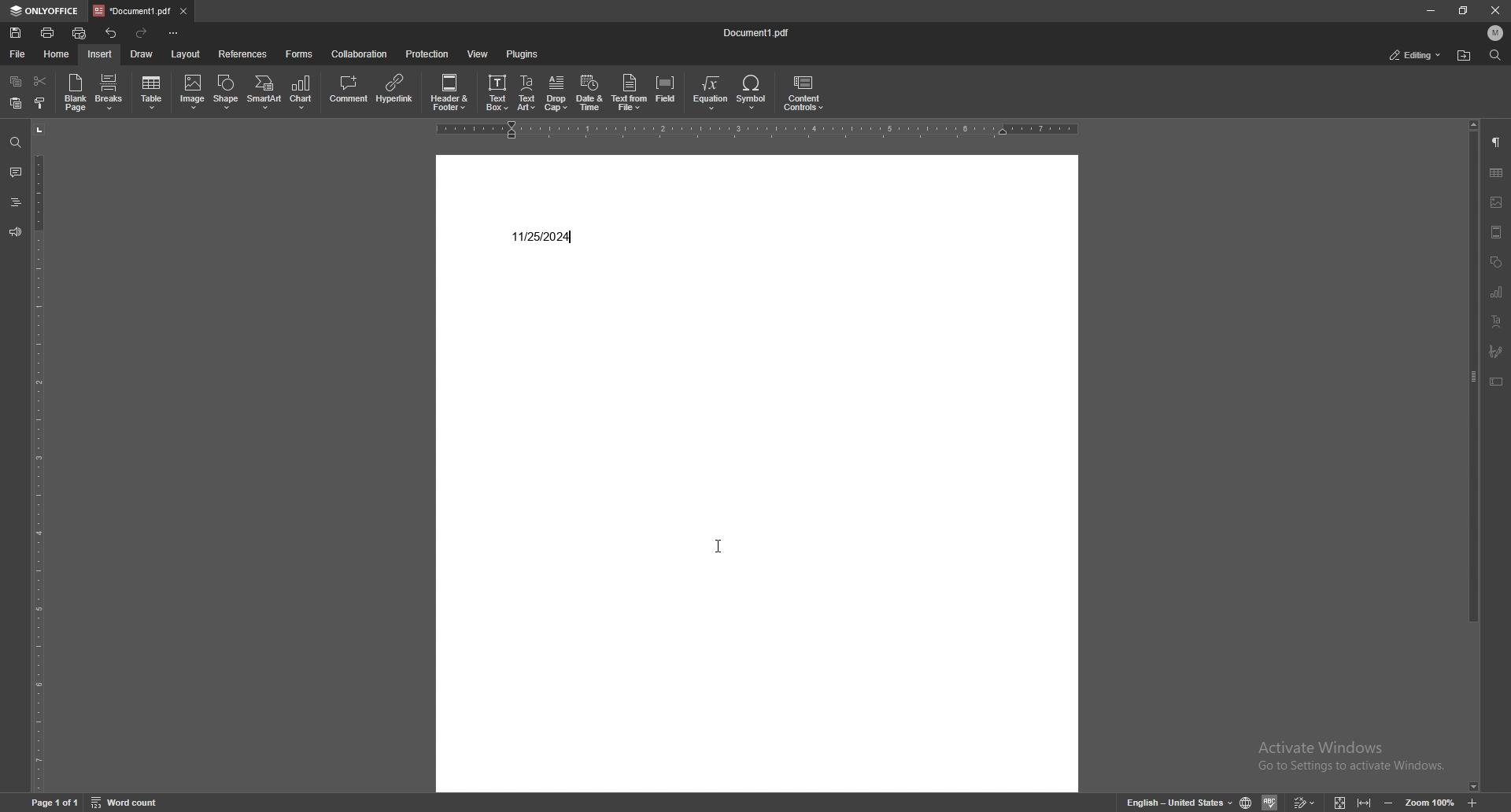 The width and height of the screenshot is (1511, 812). I want to click on breaks, so click(110, 92).